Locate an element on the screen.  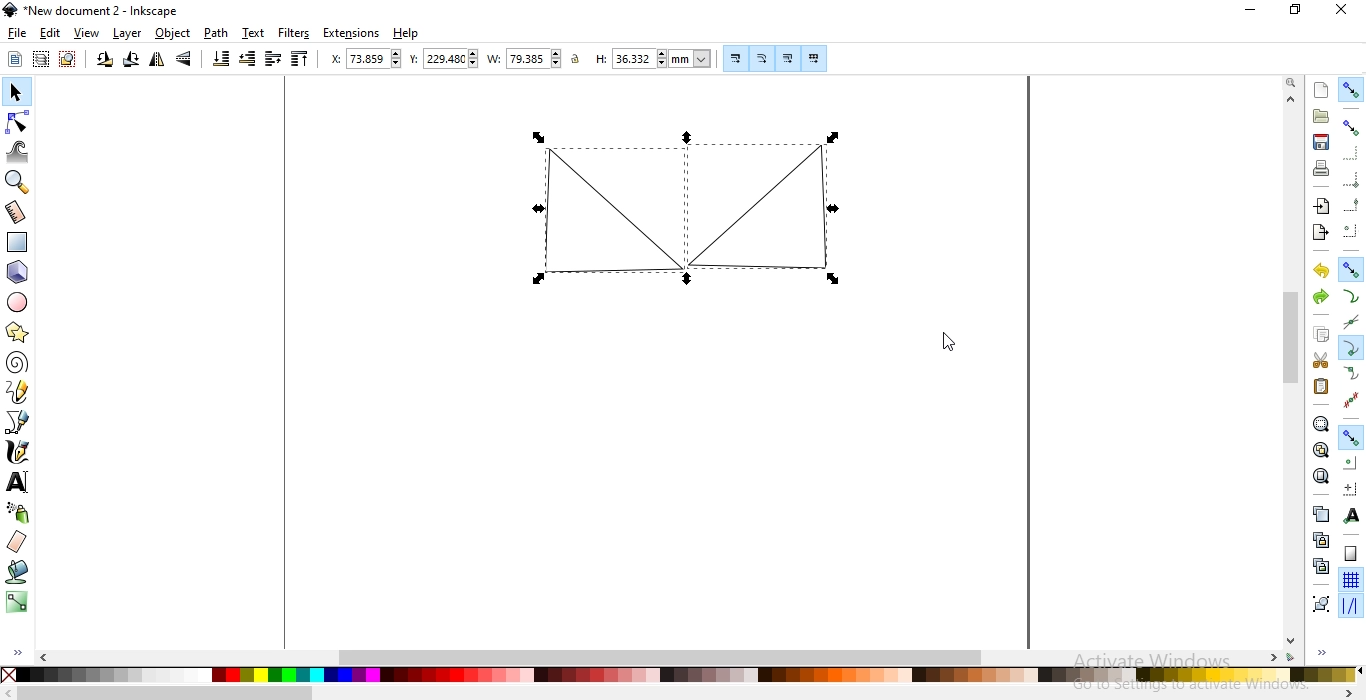
paste selection to clipboard is located at coordinates (1322, 386).